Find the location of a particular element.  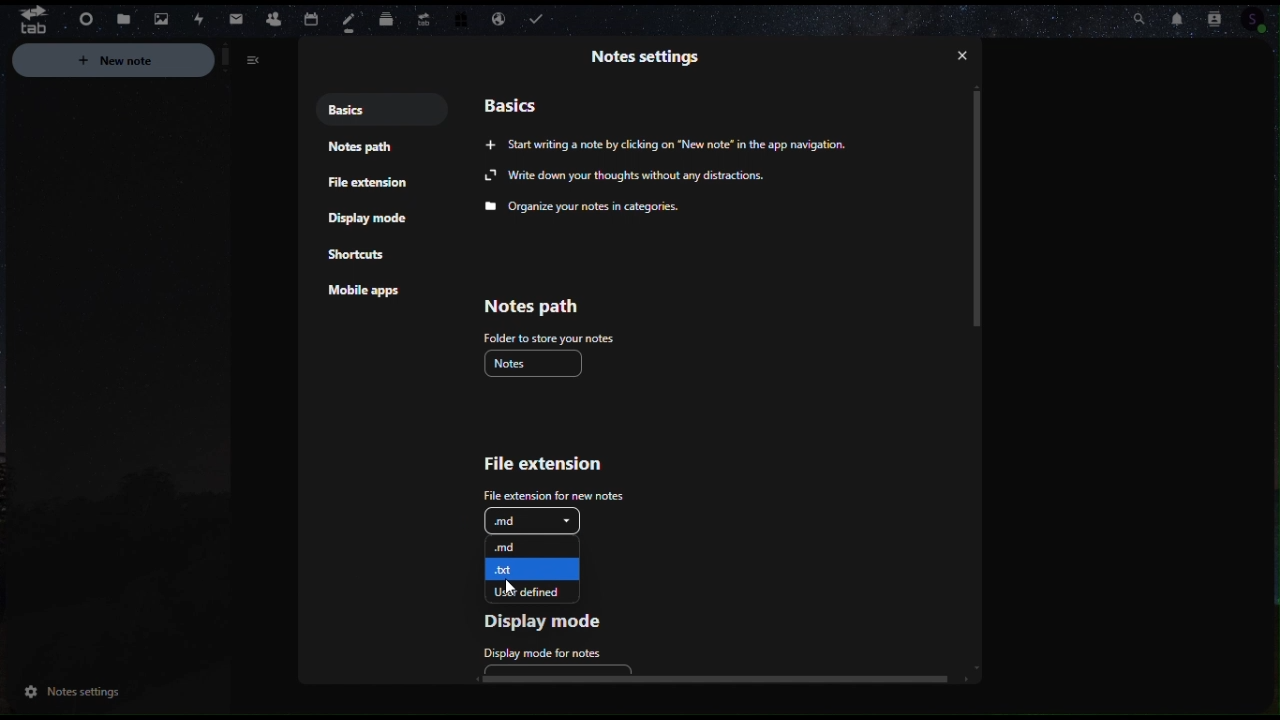

Contacts is located at coordinates (1223, 16).